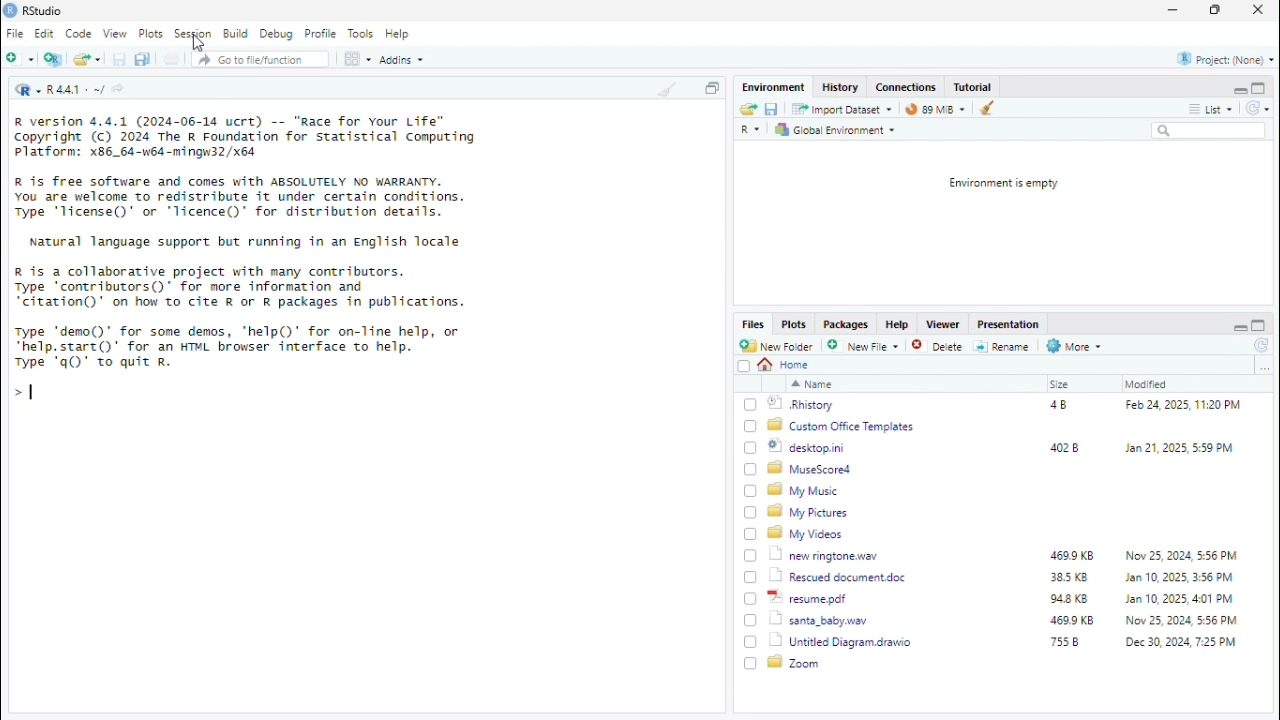 This screenshot has width=1280, height=720. I want to click on Profile, so click(323, 34).